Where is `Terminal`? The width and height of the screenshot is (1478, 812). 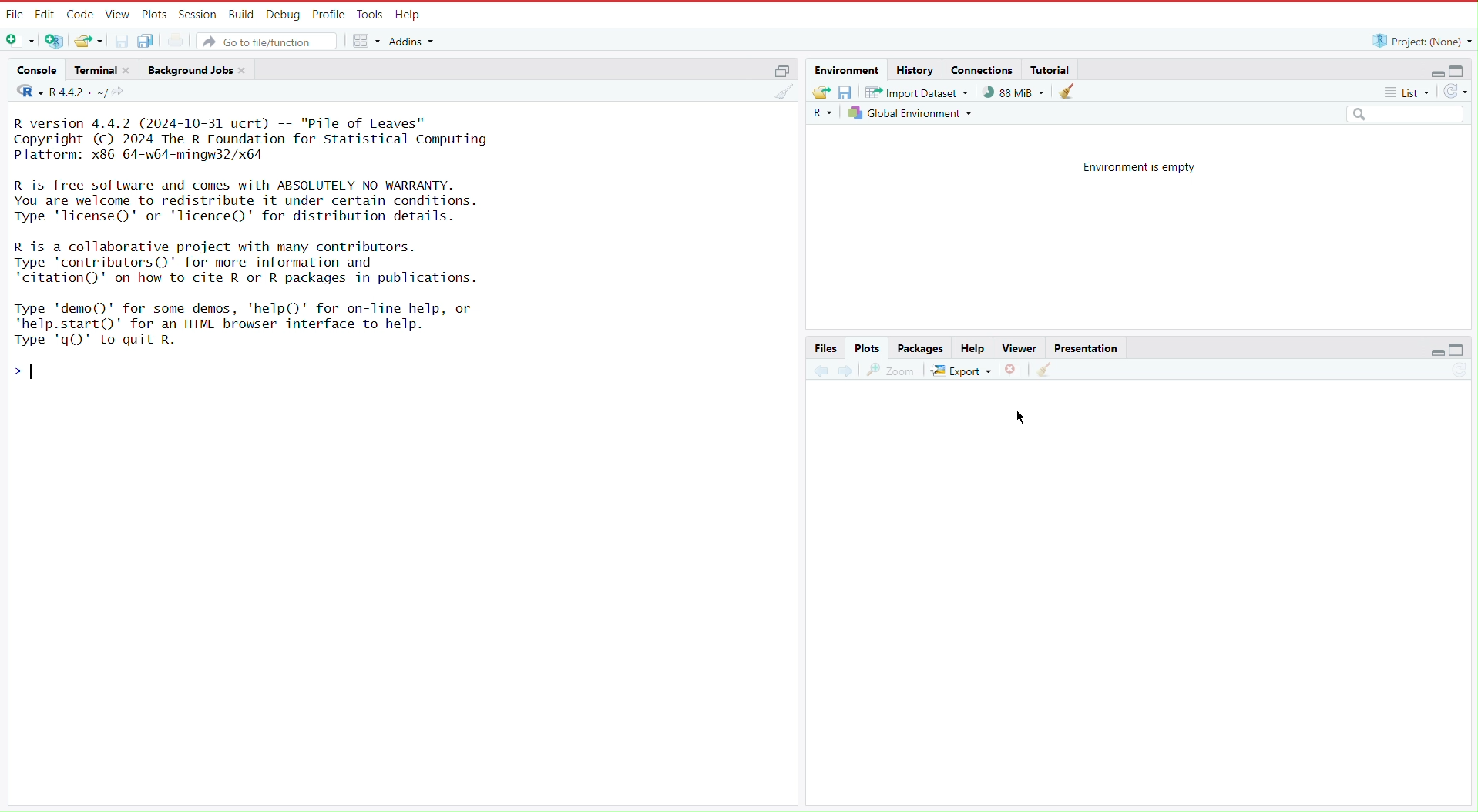 Terminal is located at coordinates (102, 70).